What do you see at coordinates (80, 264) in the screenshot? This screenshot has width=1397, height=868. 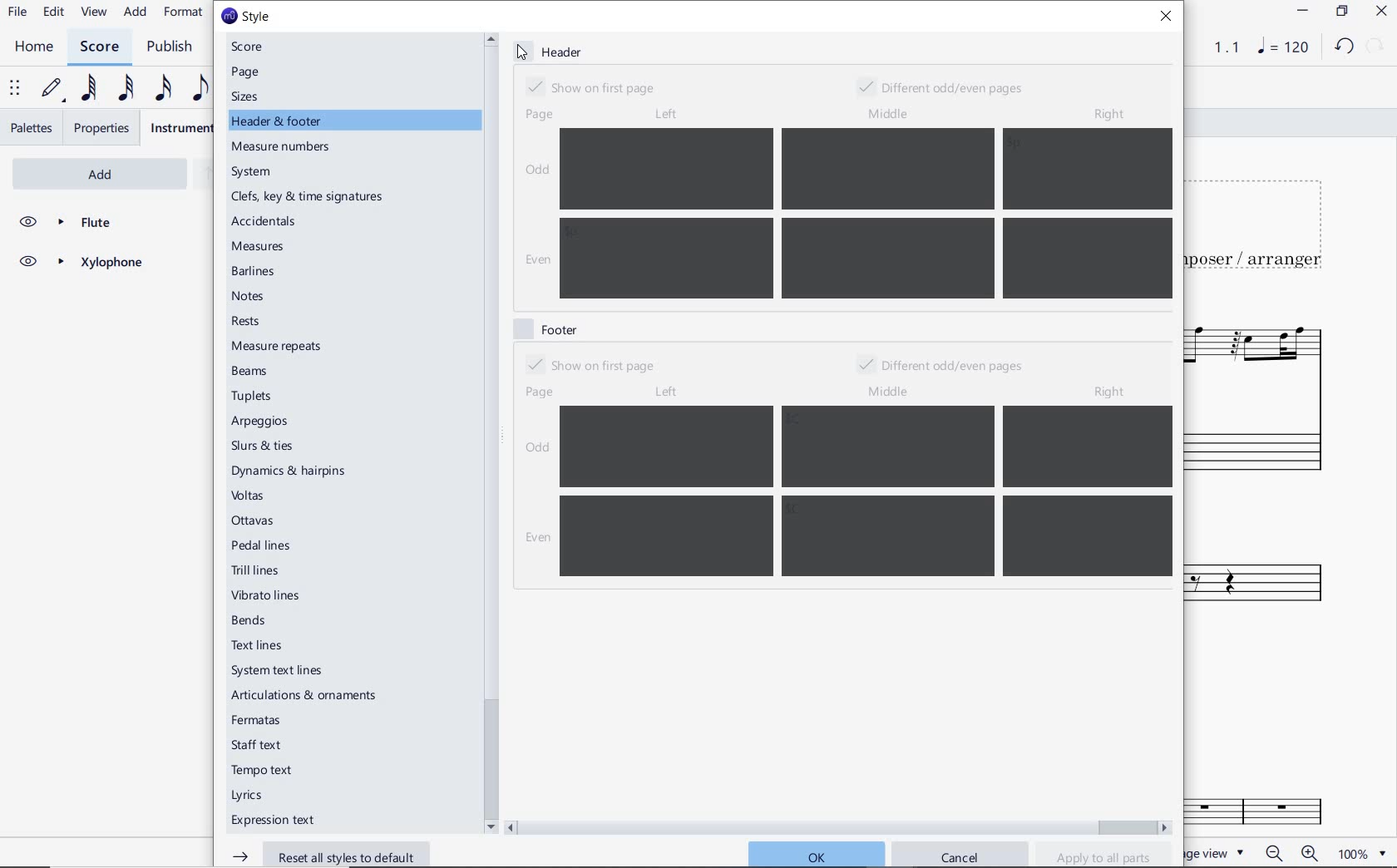 I see `XYLOPHONE` at bounding box center [80, 264].